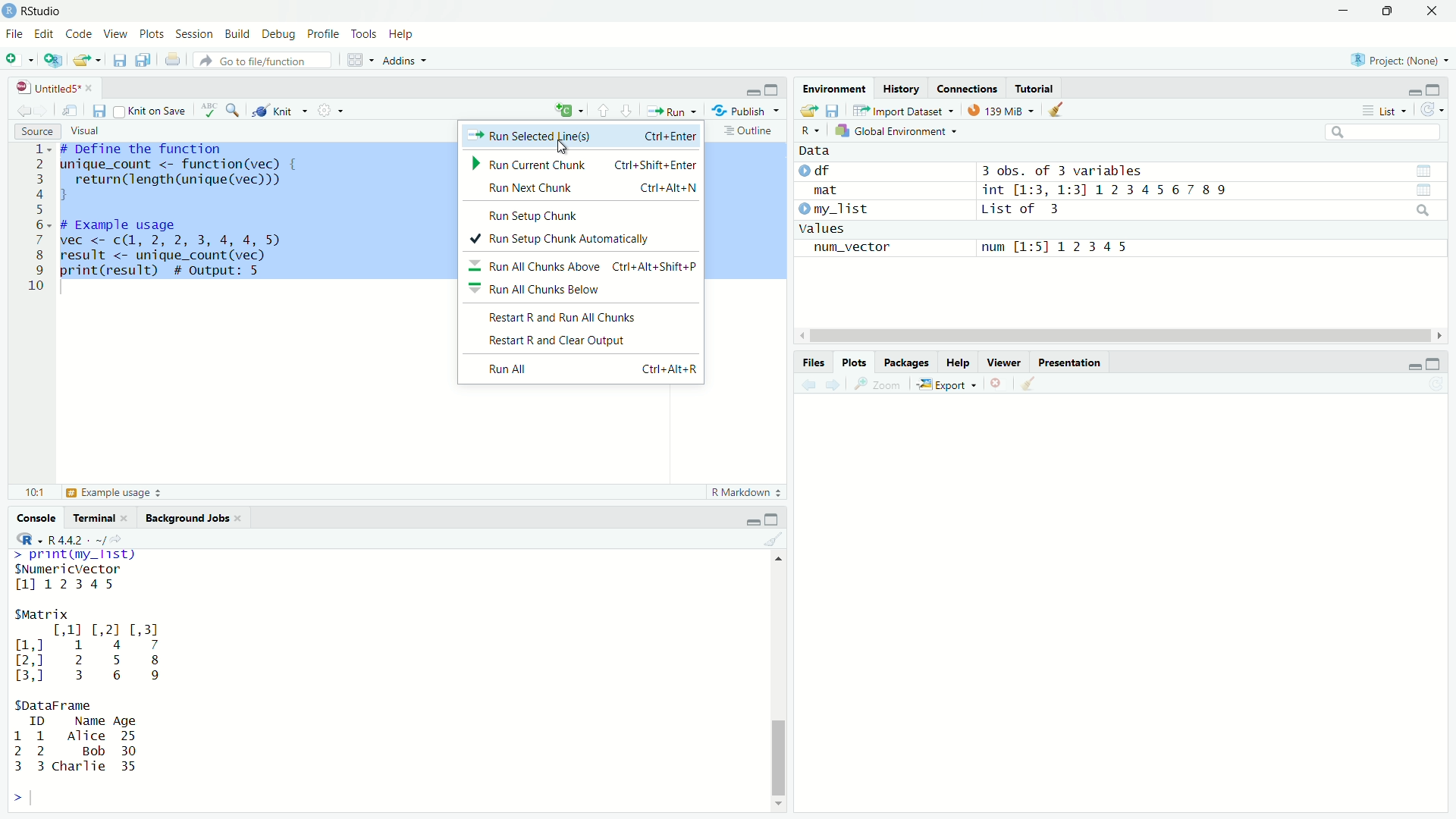 This screenshot has height=819, width=1456. What do you see at coordinates (856, 362) in the screenshot?
I see `Plots` at bounding box center [856, 362].